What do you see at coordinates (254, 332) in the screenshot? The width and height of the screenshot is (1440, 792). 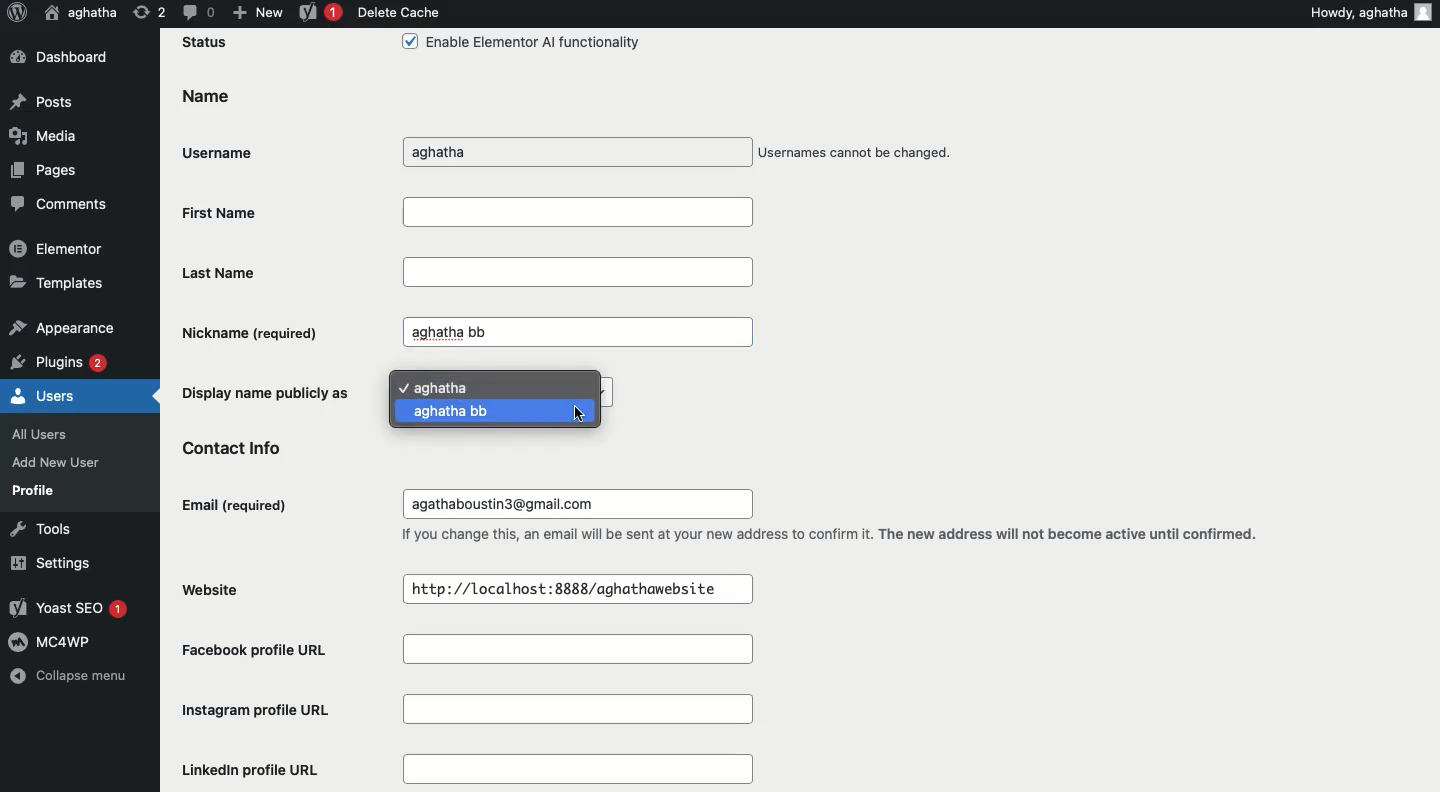 I see `Nickname (required)` at bounding box center [254, 332].